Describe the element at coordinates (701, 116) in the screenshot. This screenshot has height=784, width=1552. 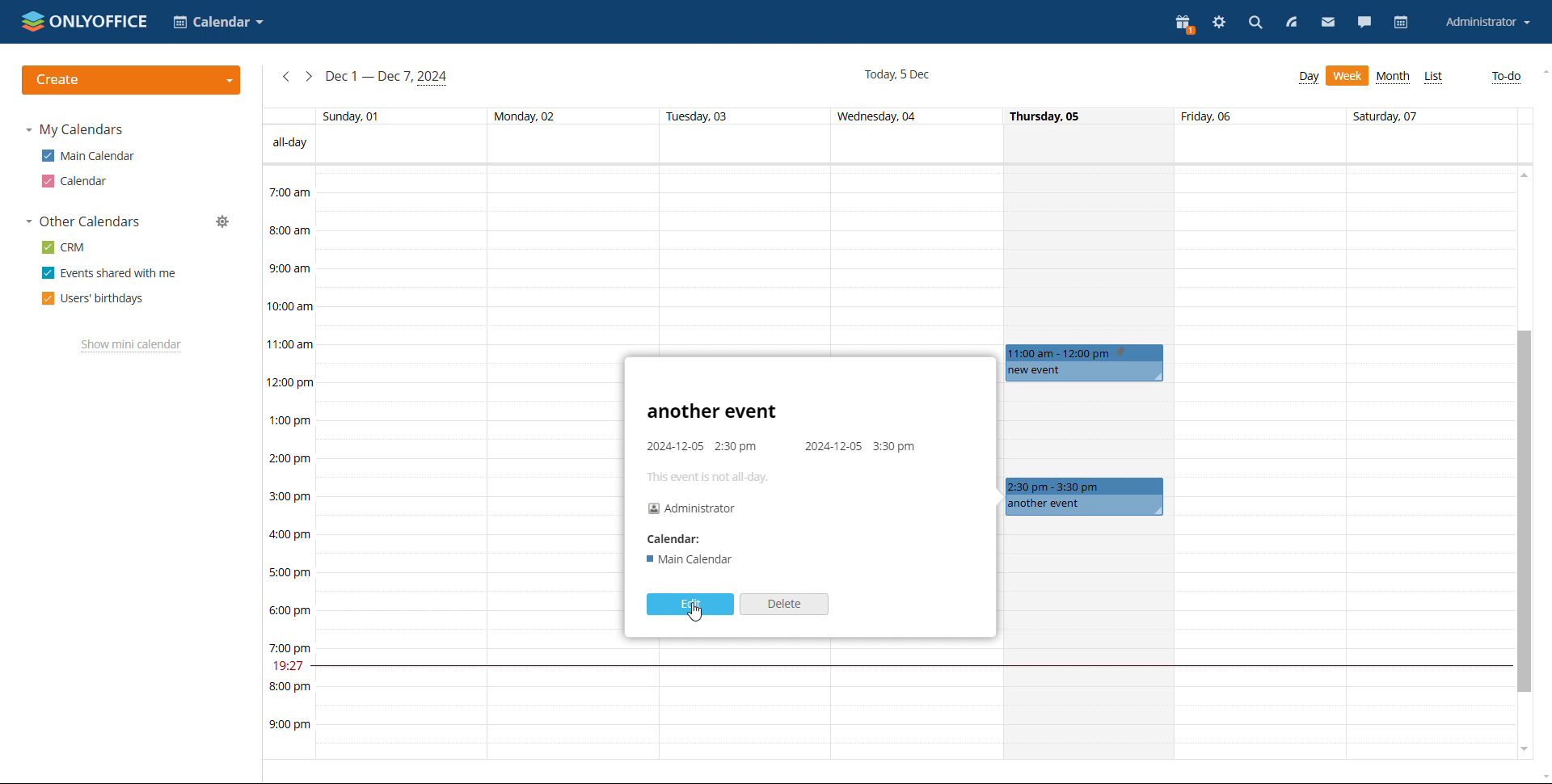
I see `Tuesday, 03` at that location.